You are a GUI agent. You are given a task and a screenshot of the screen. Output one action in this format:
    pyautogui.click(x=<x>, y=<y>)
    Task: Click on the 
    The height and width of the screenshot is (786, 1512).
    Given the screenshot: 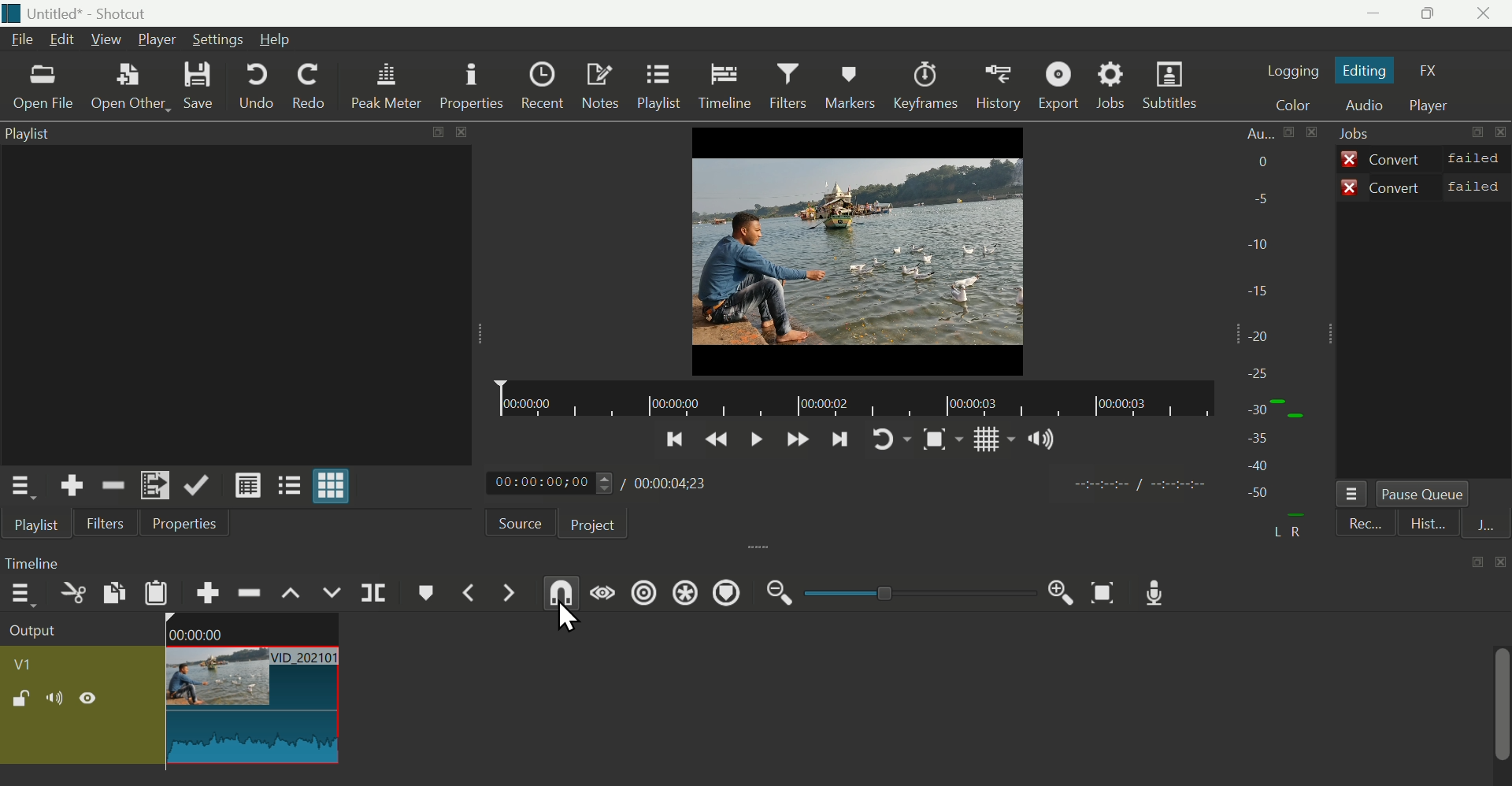 What is the action you would take?
    pyautogui.click(x=192, y=528)
    